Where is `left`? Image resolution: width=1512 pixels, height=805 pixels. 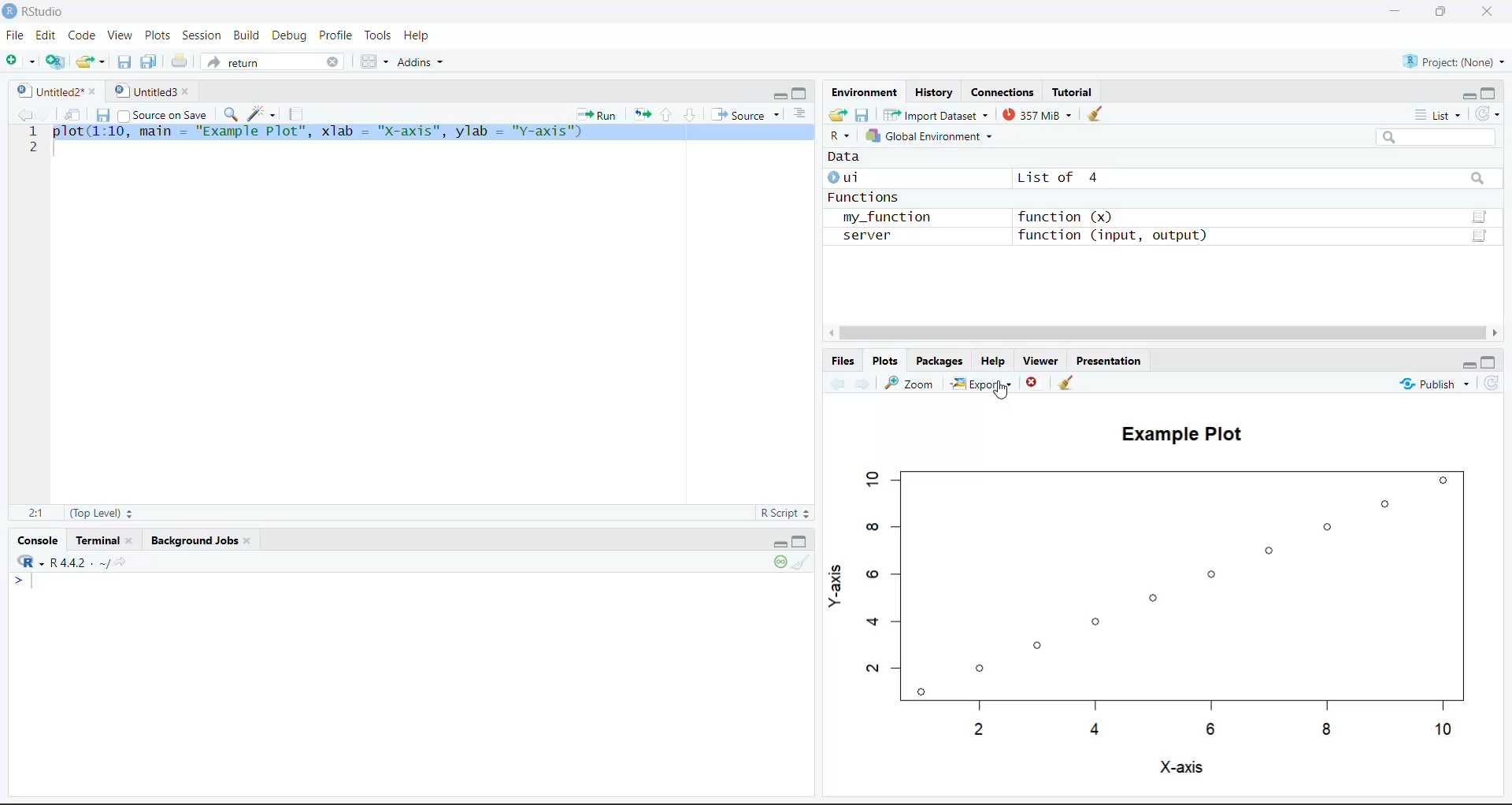 left is located at coordinates (829, 333).